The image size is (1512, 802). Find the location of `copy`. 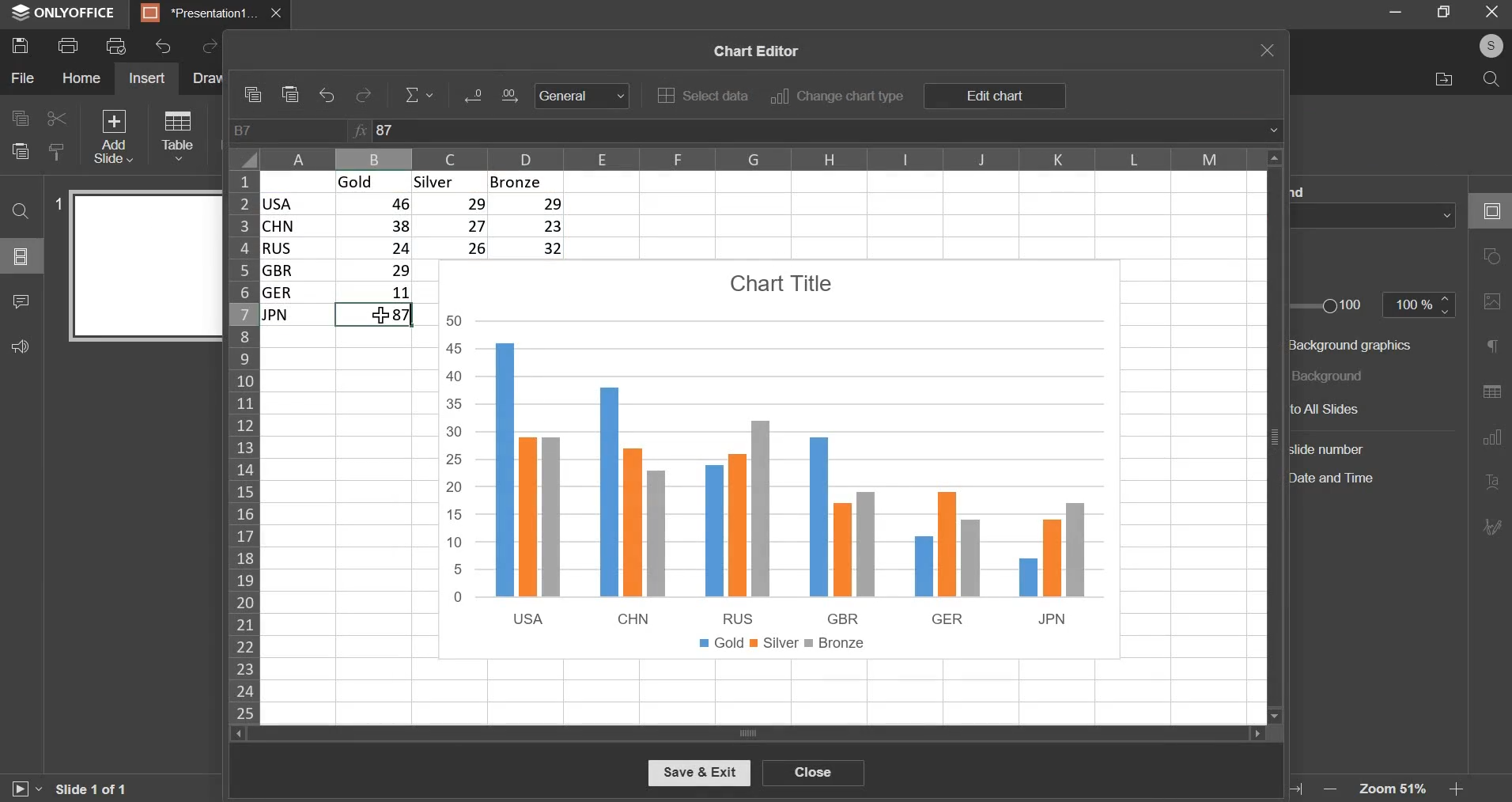

copy is located at coordinates (19, 119).